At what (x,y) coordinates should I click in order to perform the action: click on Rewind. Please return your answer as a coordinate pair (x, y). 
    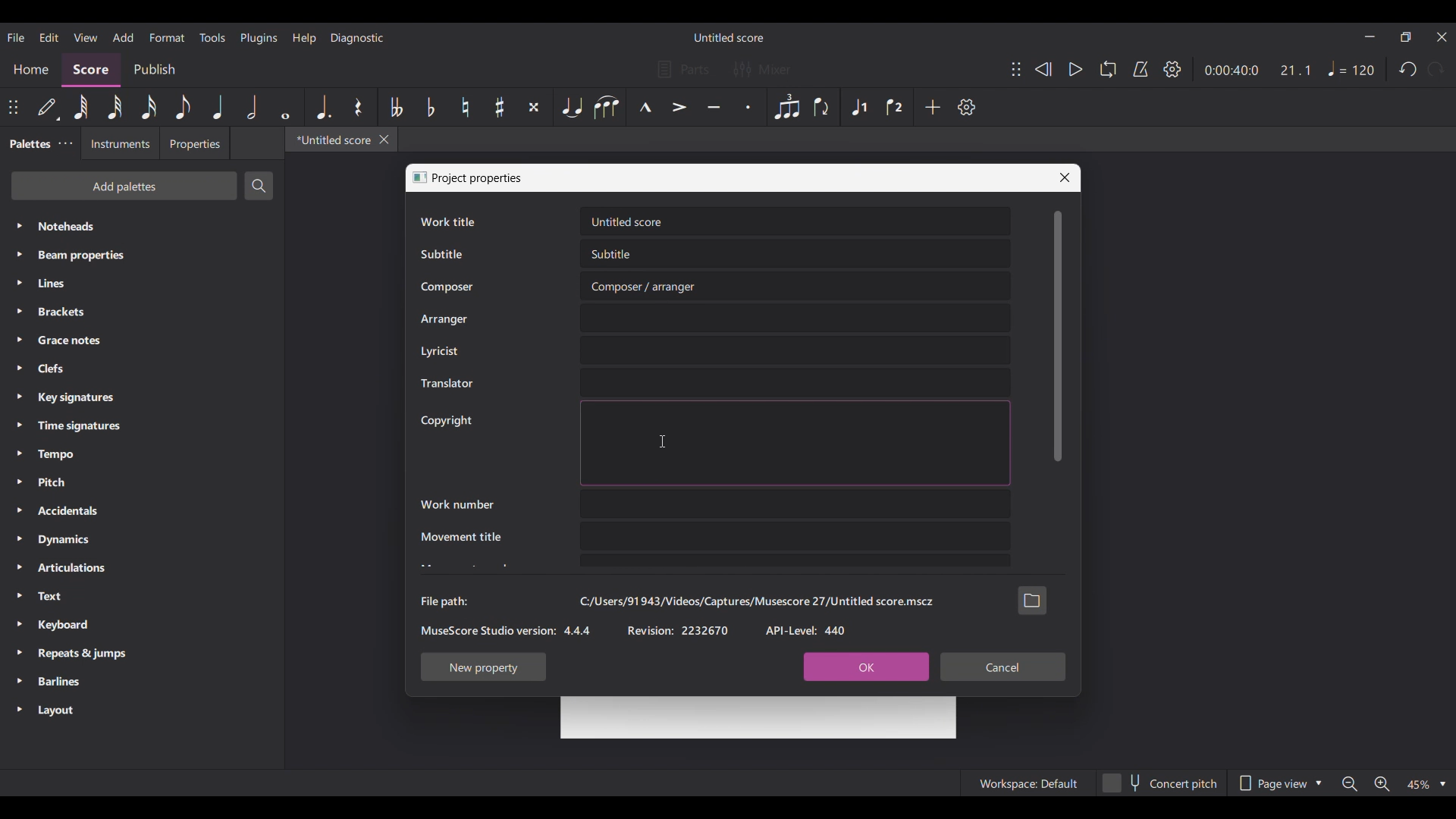
    Looking at the image, I should click on (1043, 69).